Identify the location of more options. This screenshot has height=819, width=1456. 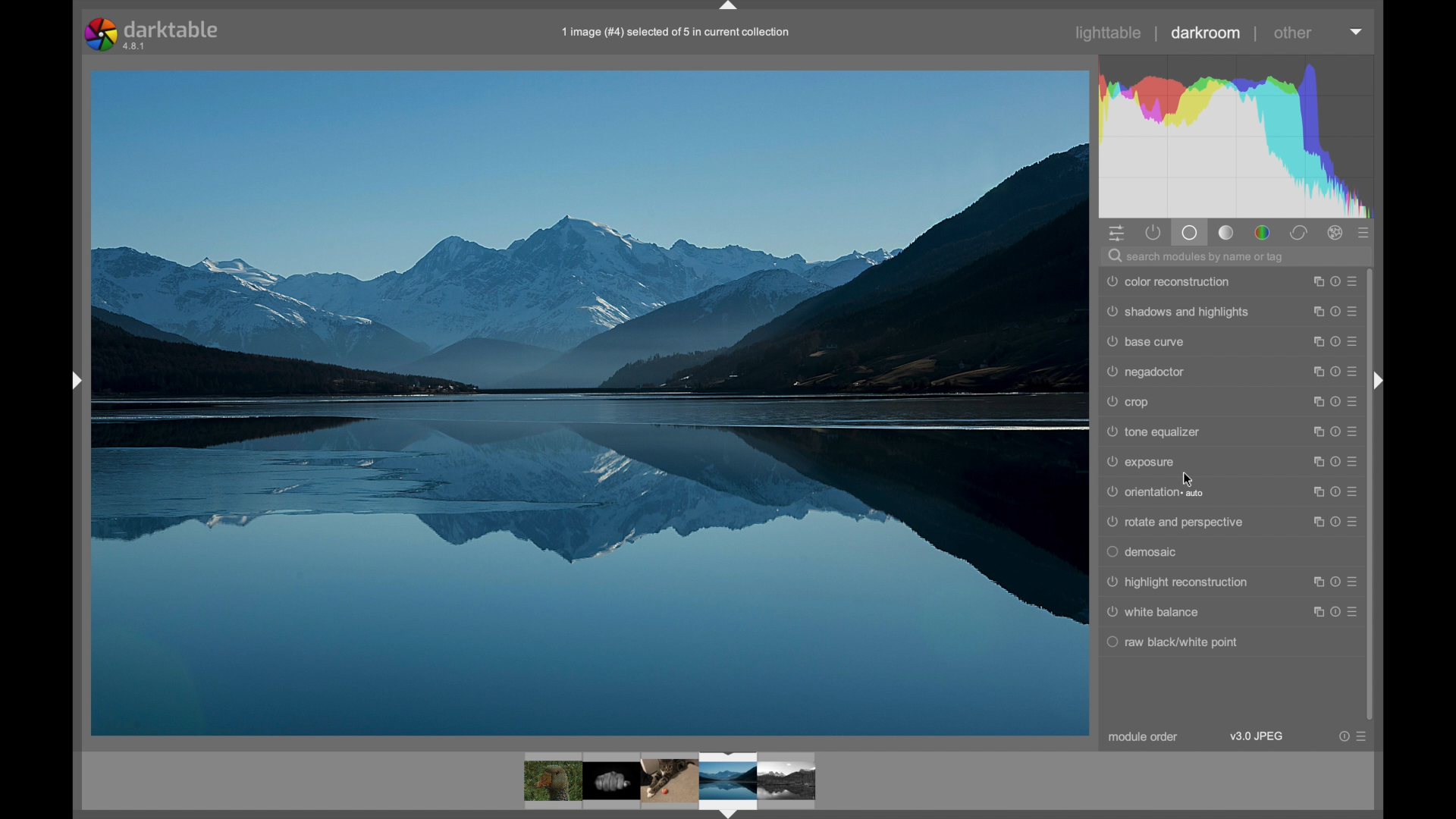
(1335, 431).